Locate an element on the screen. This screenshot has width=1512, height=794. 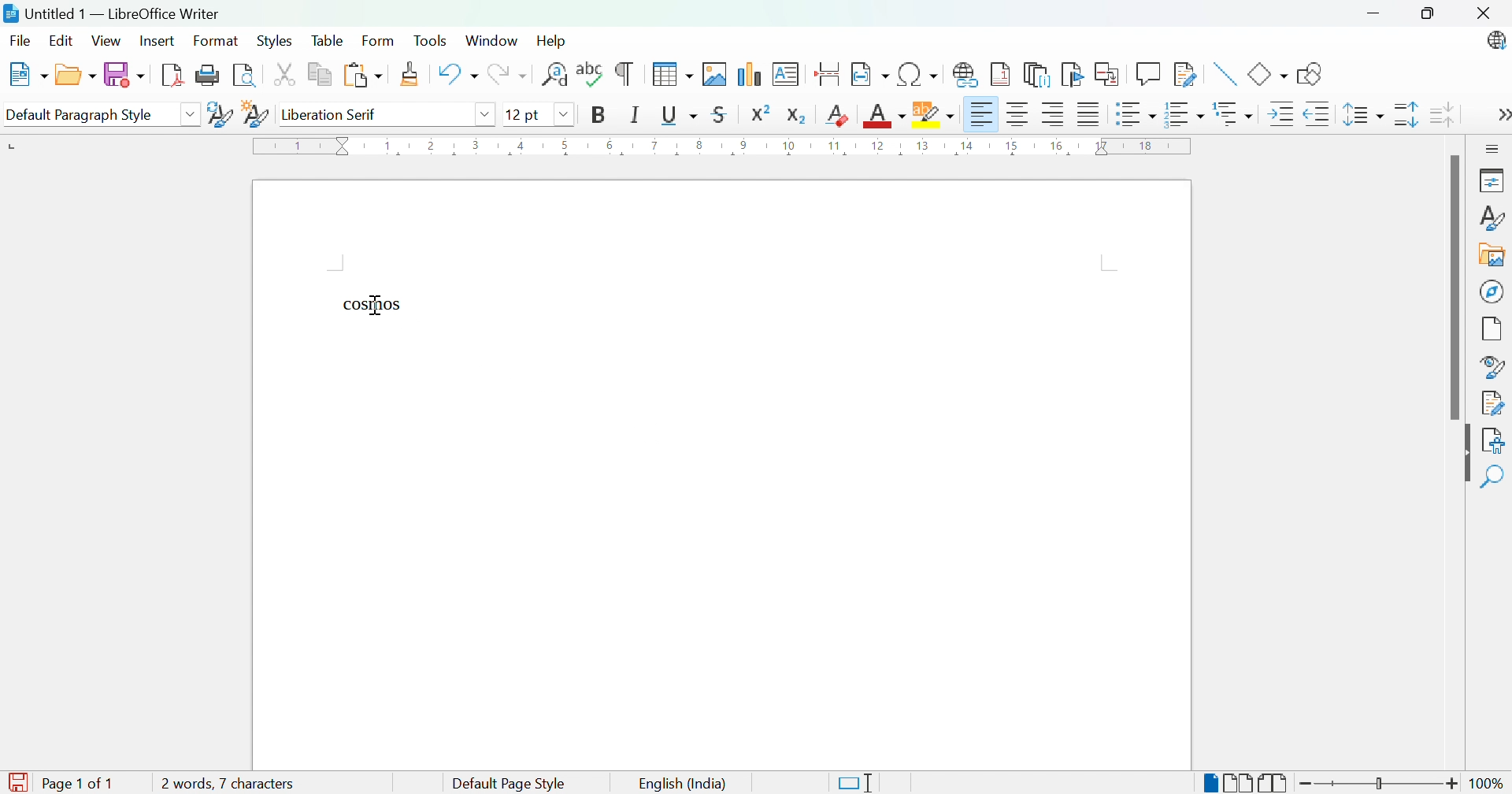
Standard selection. Click to change selection mode. is located at coordinates (856, 783).